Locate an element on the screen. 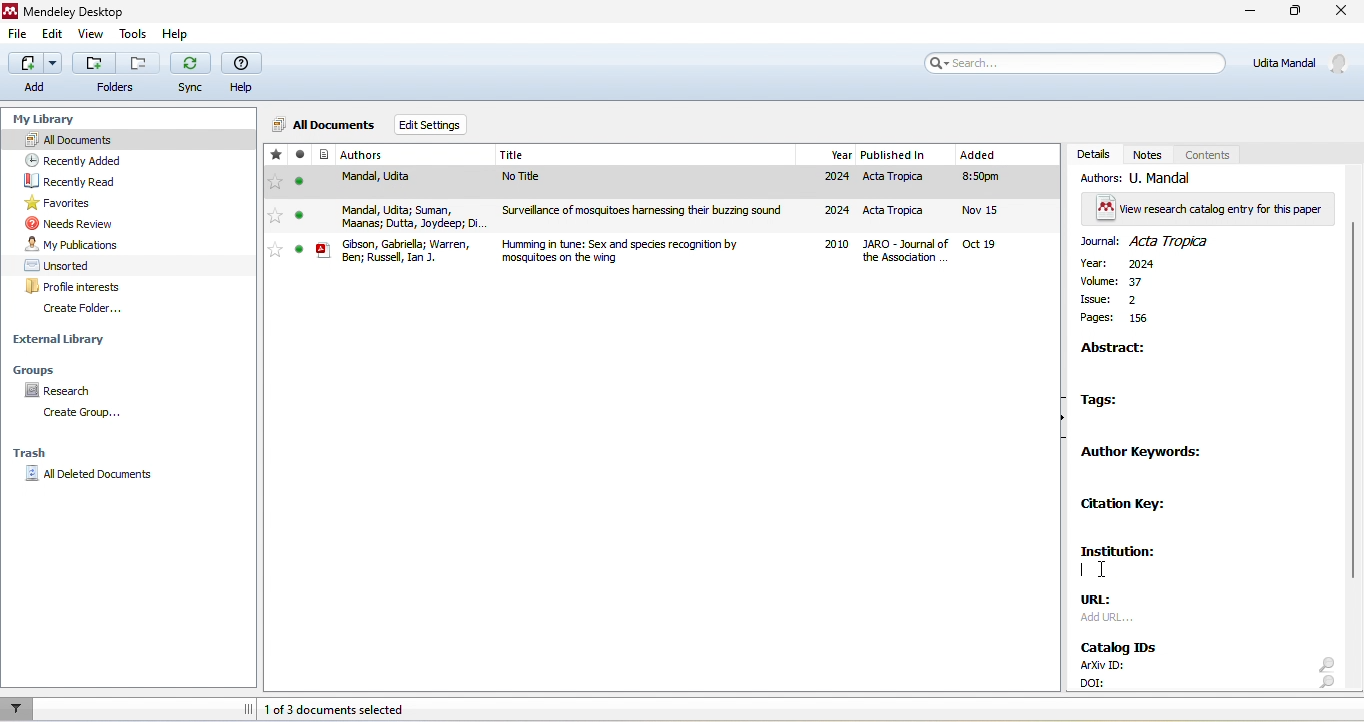  unsorted is located at coordinates (62, 264).